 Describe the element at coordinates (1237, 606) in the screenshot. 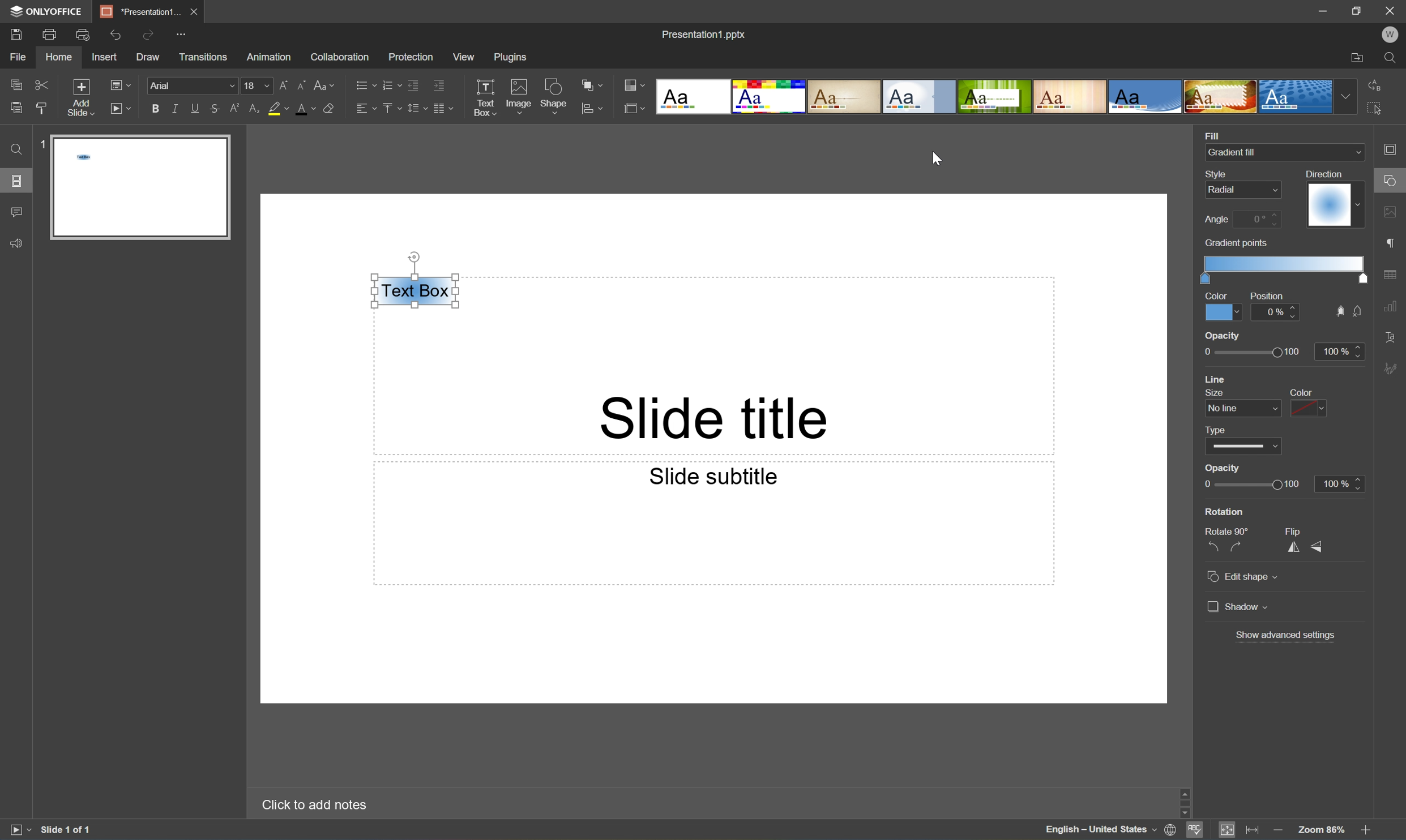

I see `Shadow` at that location.